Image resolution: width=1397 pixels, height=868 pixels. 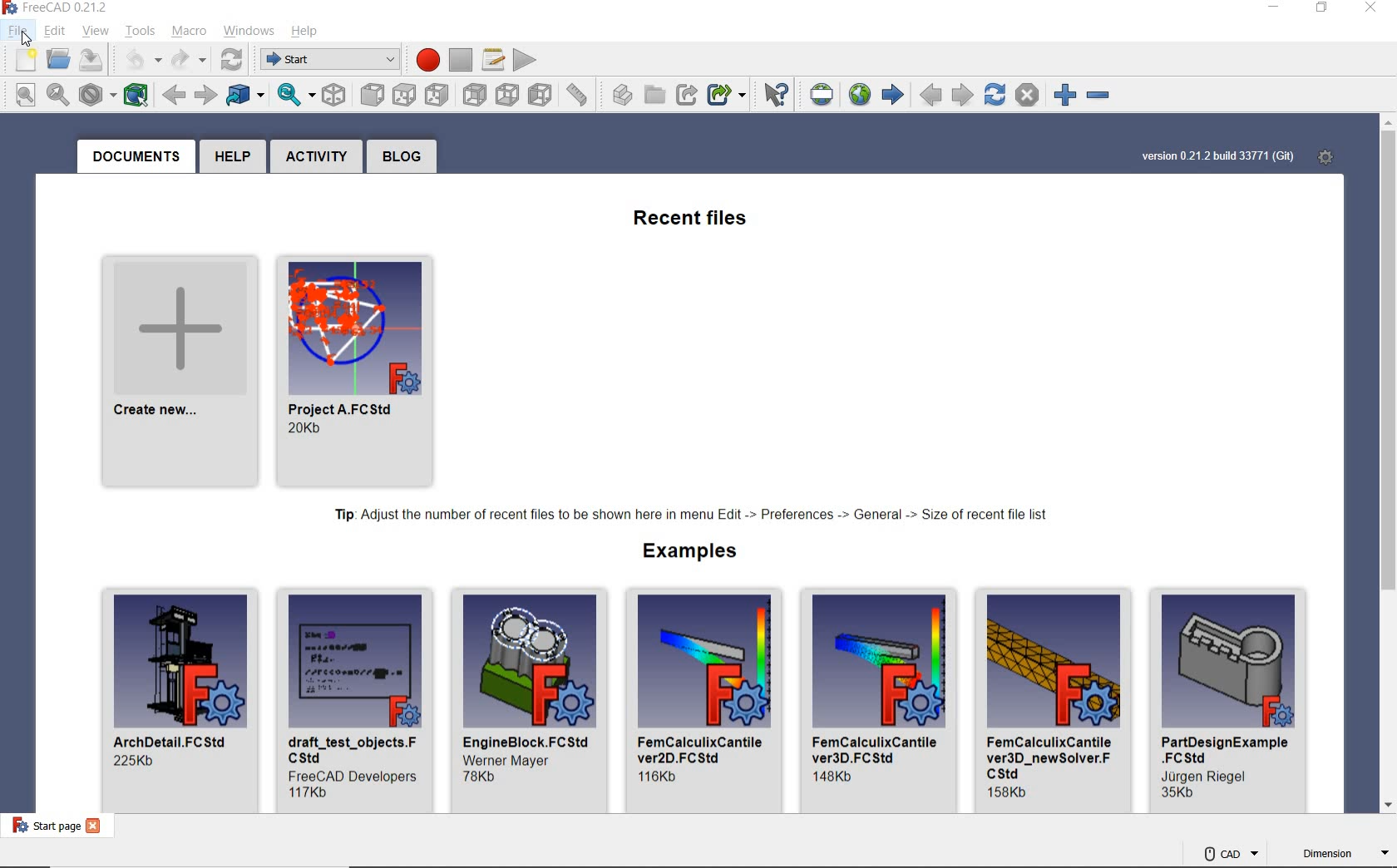 What do you see at coordinates (1179, 795) in the screenshot?
I see `size` at bounding box center [1179, 795].